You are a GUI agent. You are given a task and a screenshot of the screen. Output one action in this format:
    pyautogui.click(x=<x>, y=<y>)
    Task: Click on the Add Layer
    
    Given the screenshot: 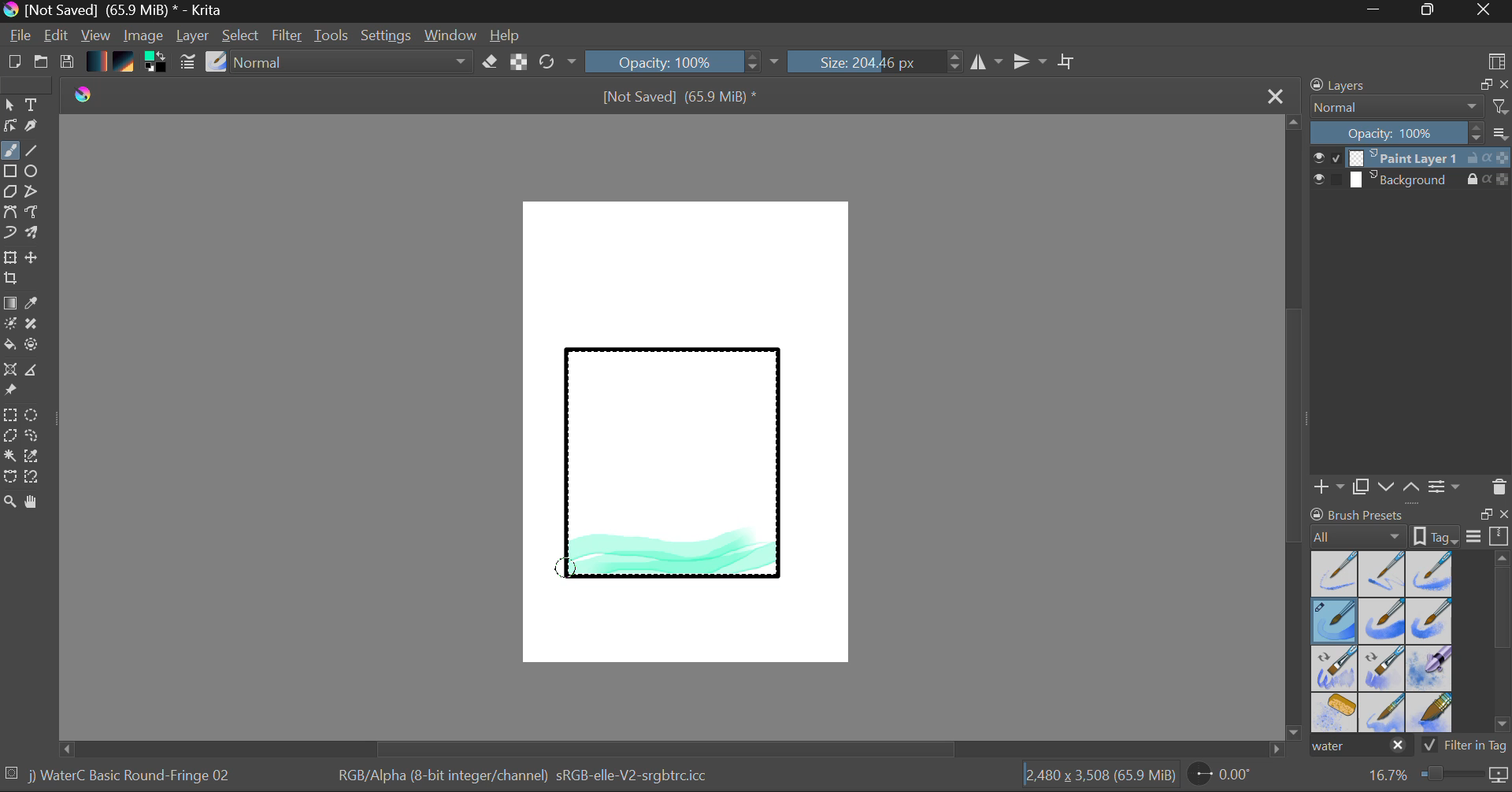 What is the action you would take?
    pyautogui.click(x=1329, y=487)
    